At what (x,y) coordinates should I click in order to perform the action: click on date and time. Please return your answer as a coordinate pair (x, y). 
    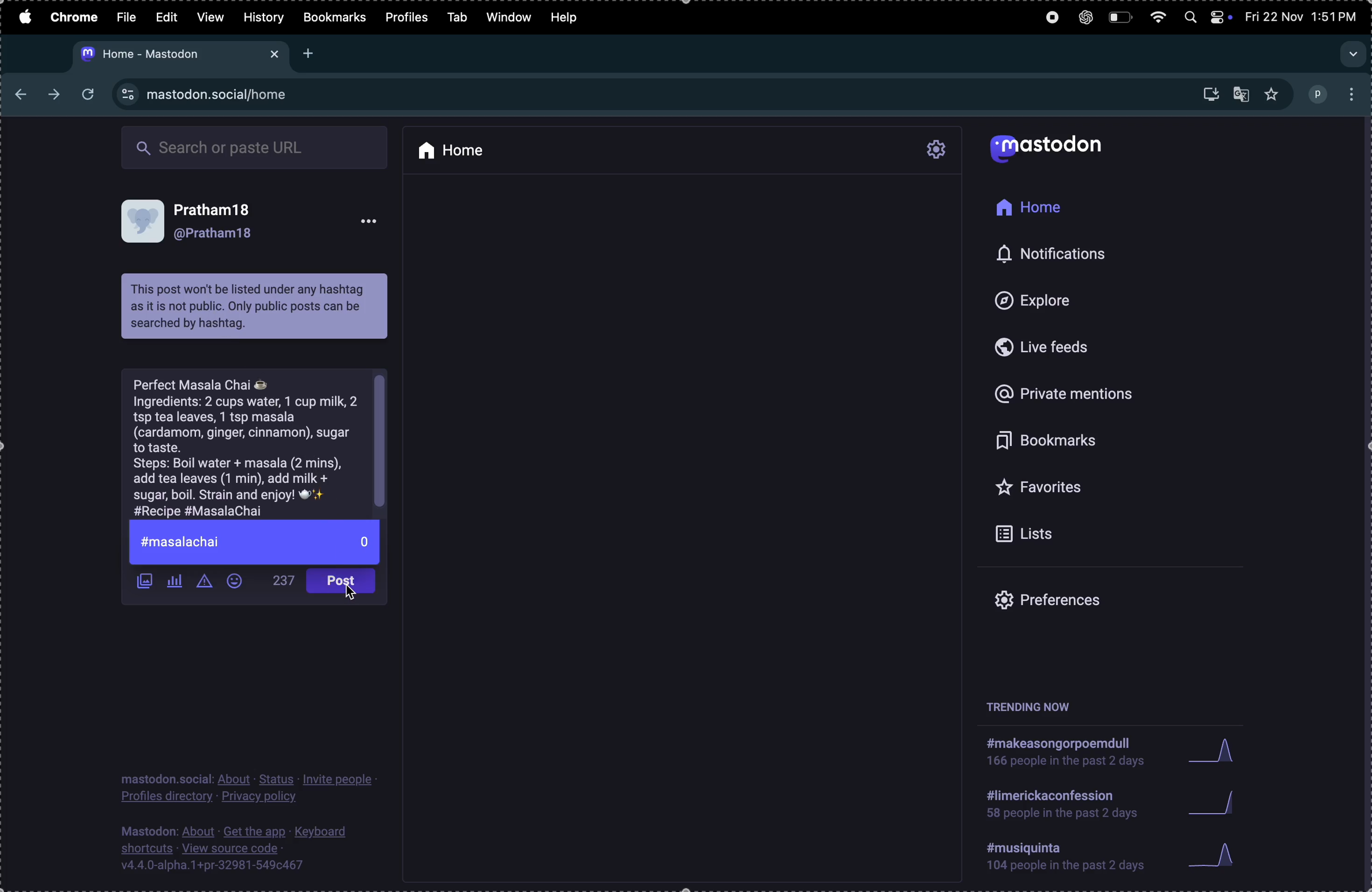
    Looking at the image, I should click on (1301, 16).